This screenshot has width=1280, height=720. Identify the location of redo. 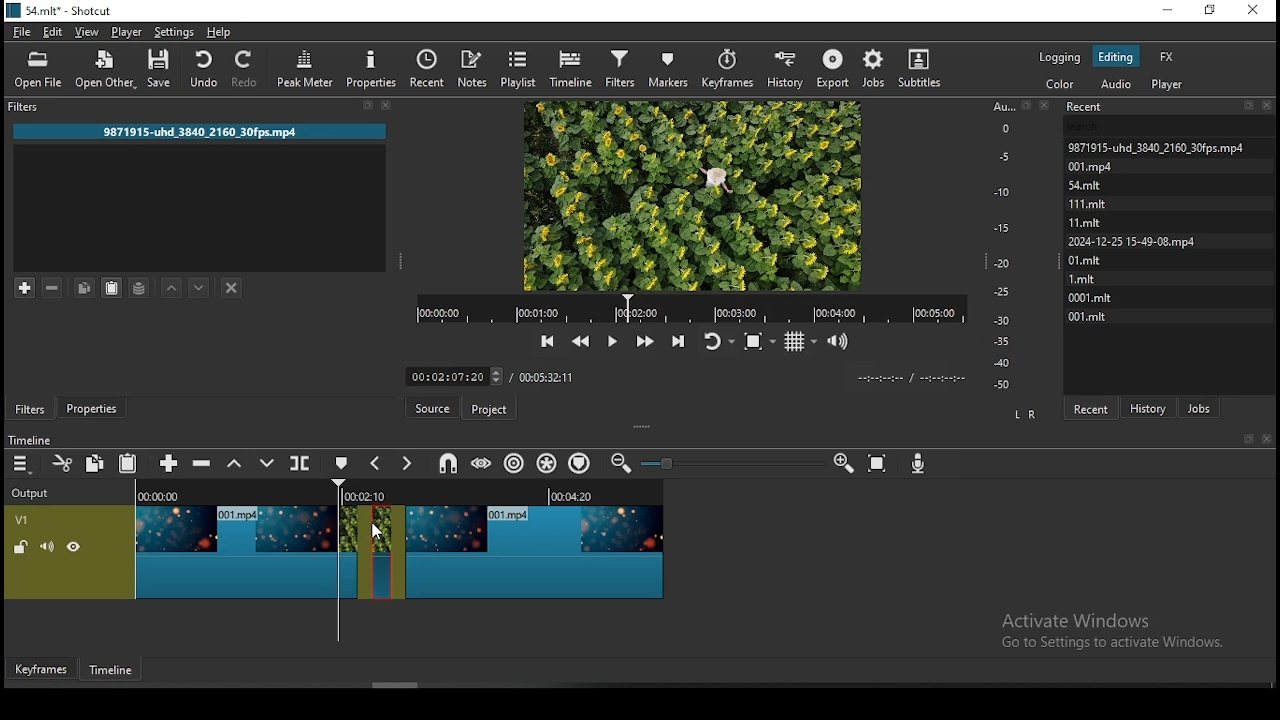
(245, 68).